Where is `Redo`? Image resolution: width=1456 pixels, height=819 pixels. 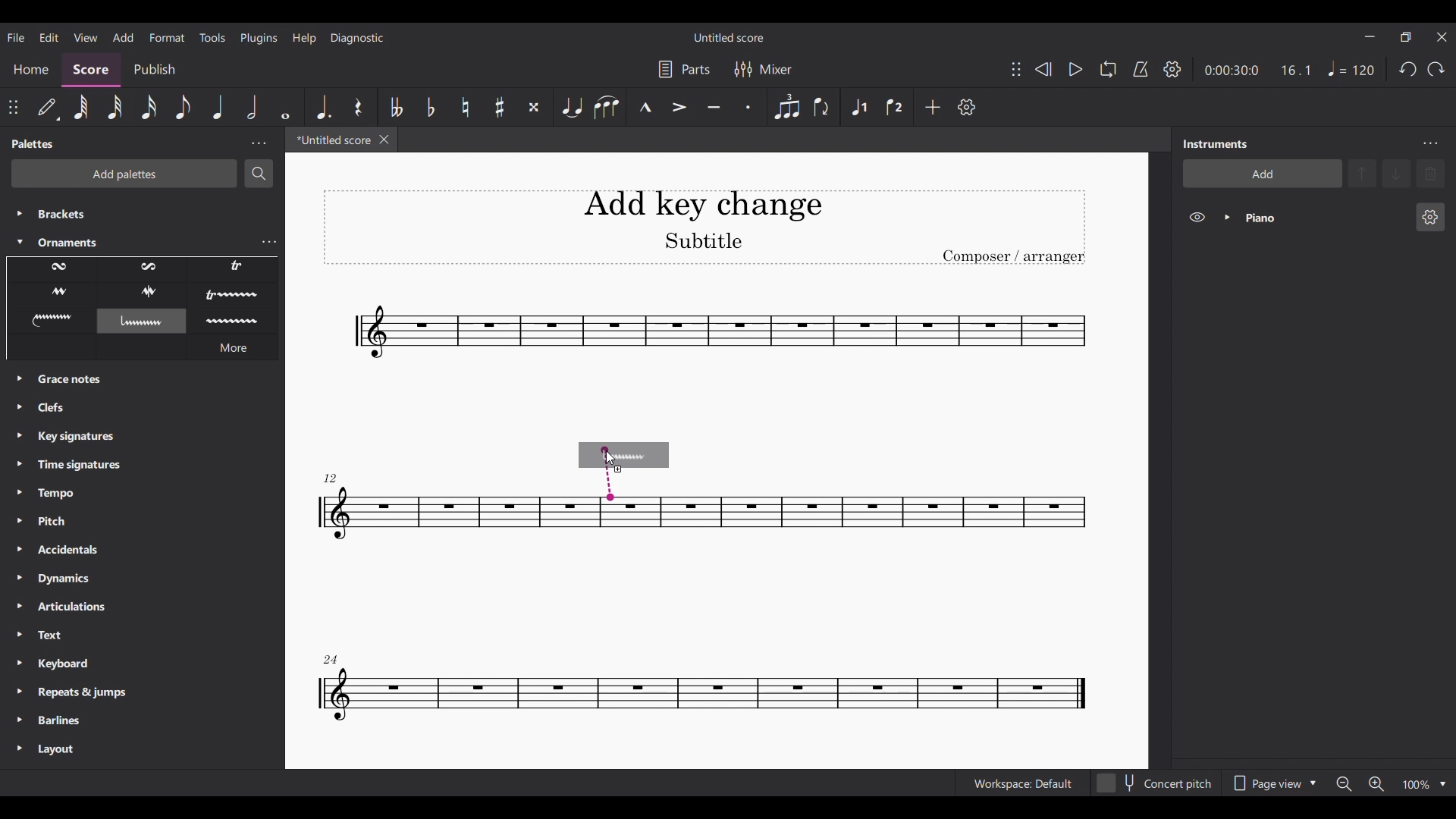
Redo is located at coordinates (1436, 70).